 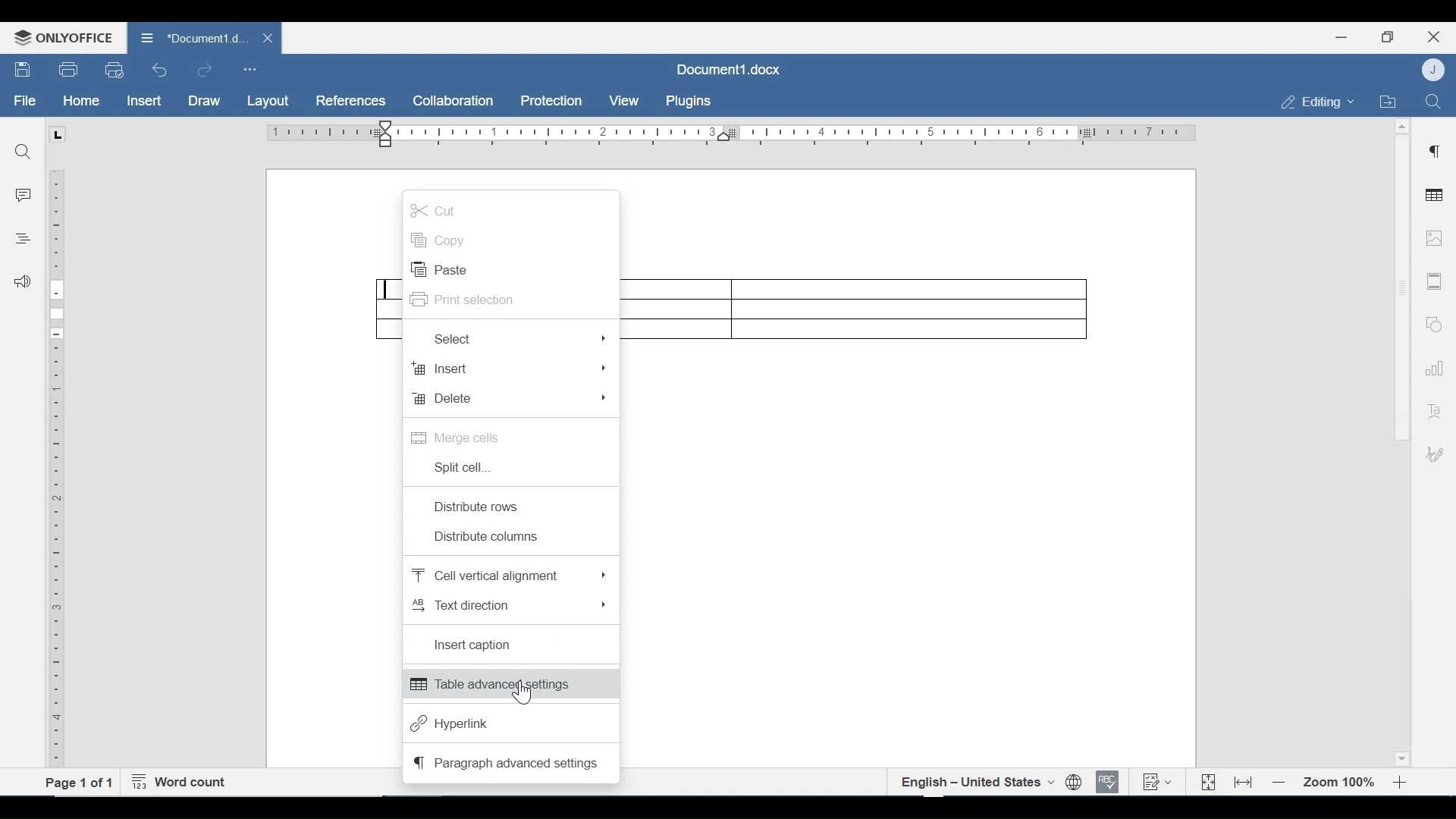 I want to click on Headings, so click(x=22, y=237).